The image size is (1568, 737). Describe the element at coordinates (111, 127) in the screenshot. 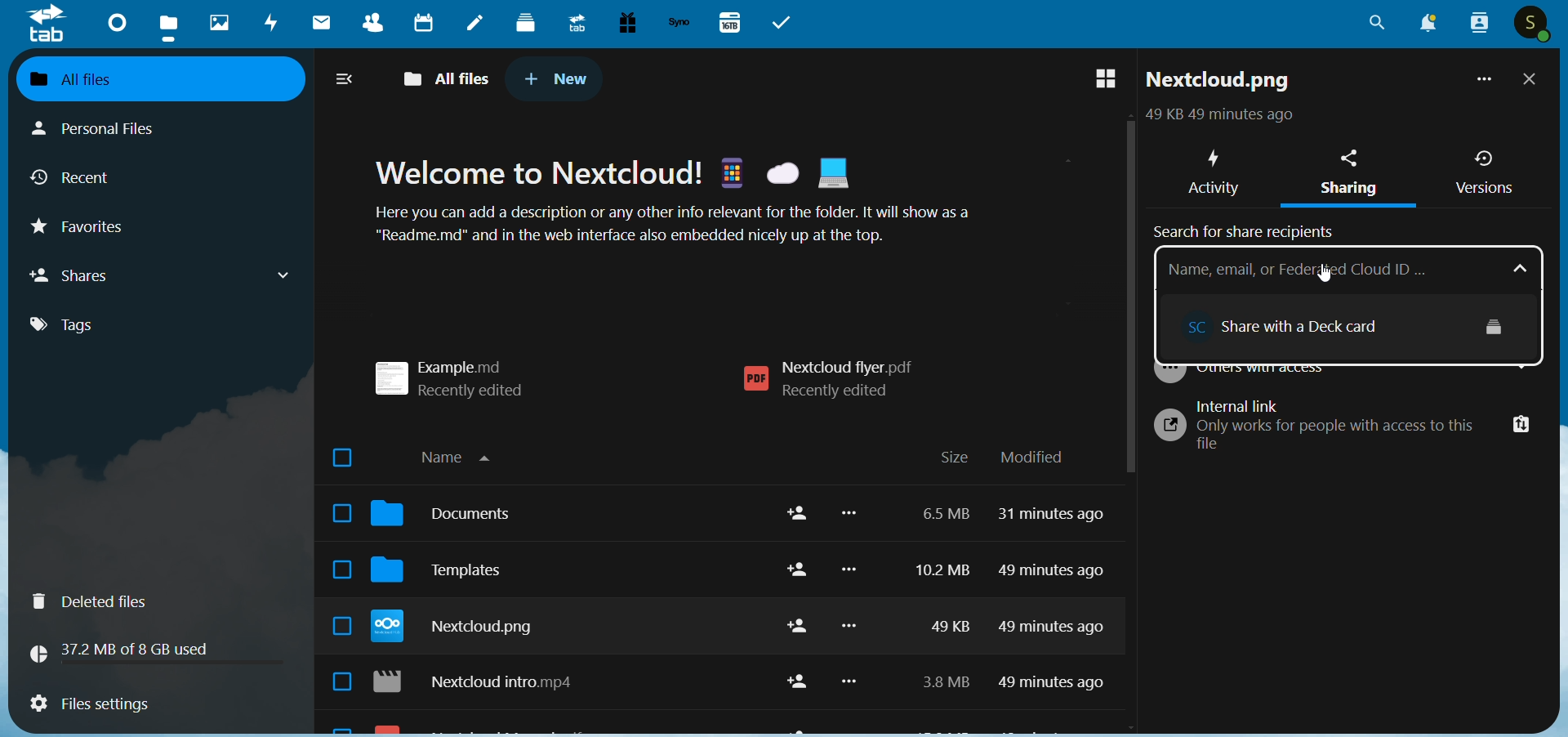

I see `personal files` at that location.